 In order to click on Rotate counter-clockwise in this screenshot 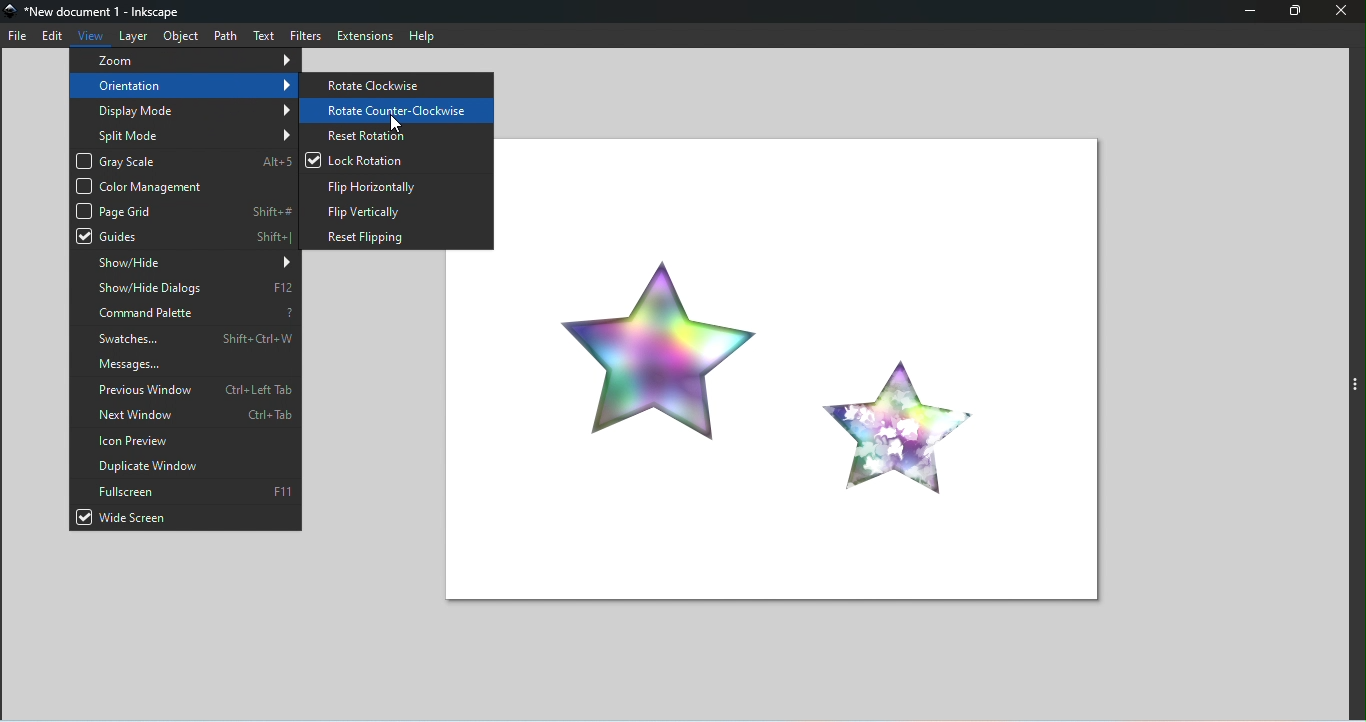, I will do `click(393, 109)`.